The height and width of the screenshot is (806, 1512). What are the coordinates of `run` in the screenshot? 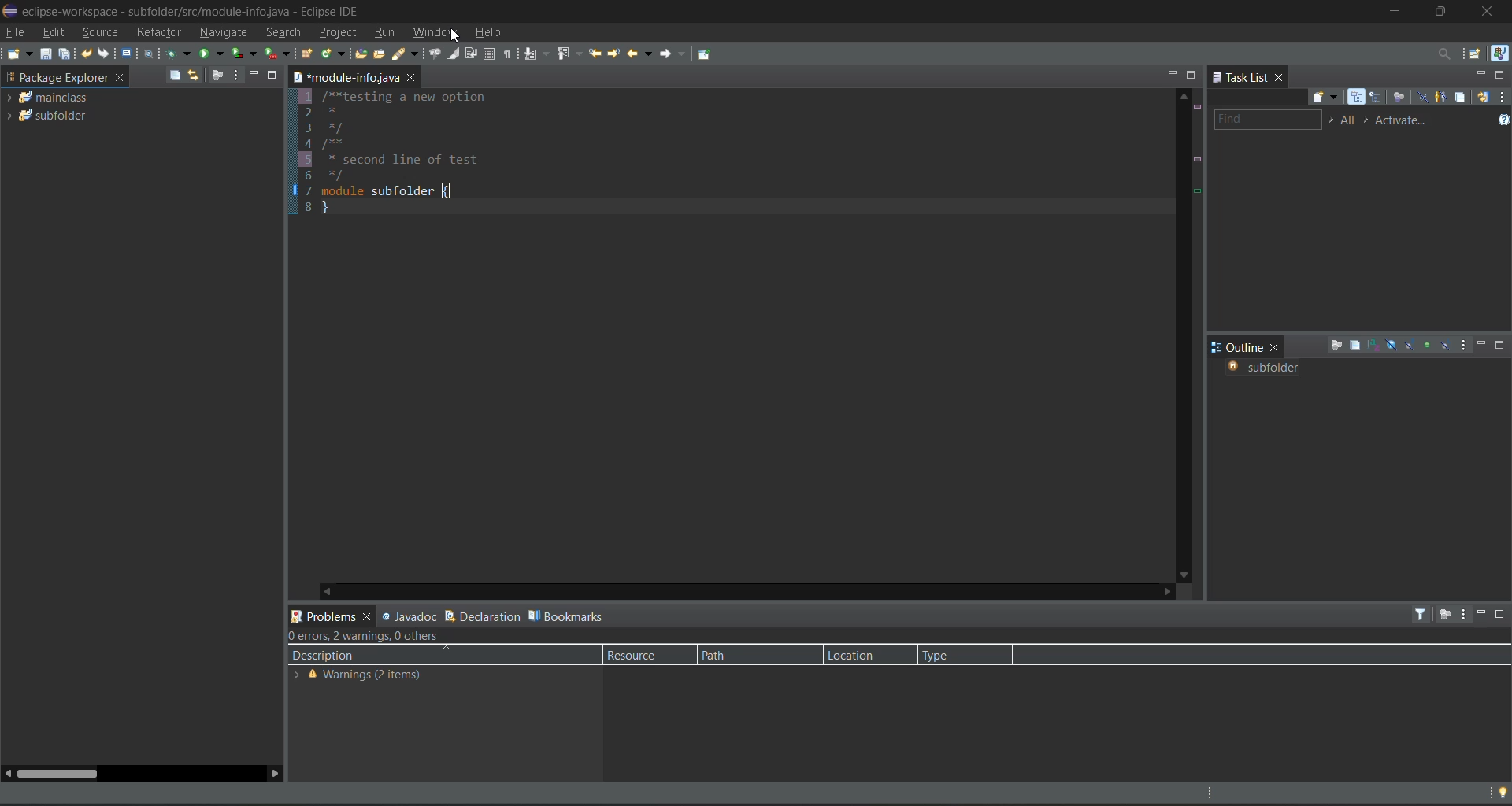 It's located at (212, 53).